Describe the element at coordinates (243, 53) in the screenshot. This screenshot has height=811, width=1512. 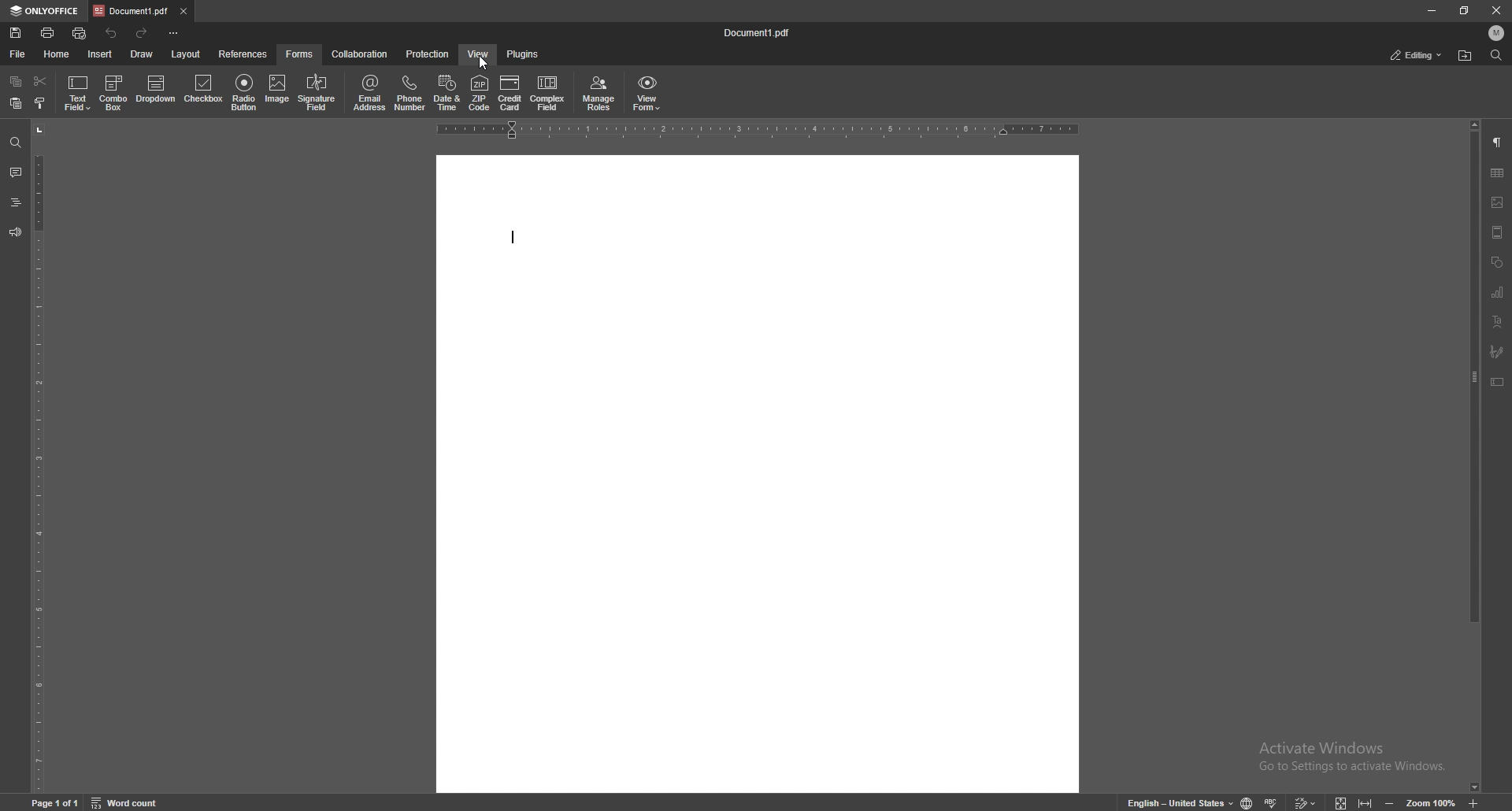
I see `references` at that location.